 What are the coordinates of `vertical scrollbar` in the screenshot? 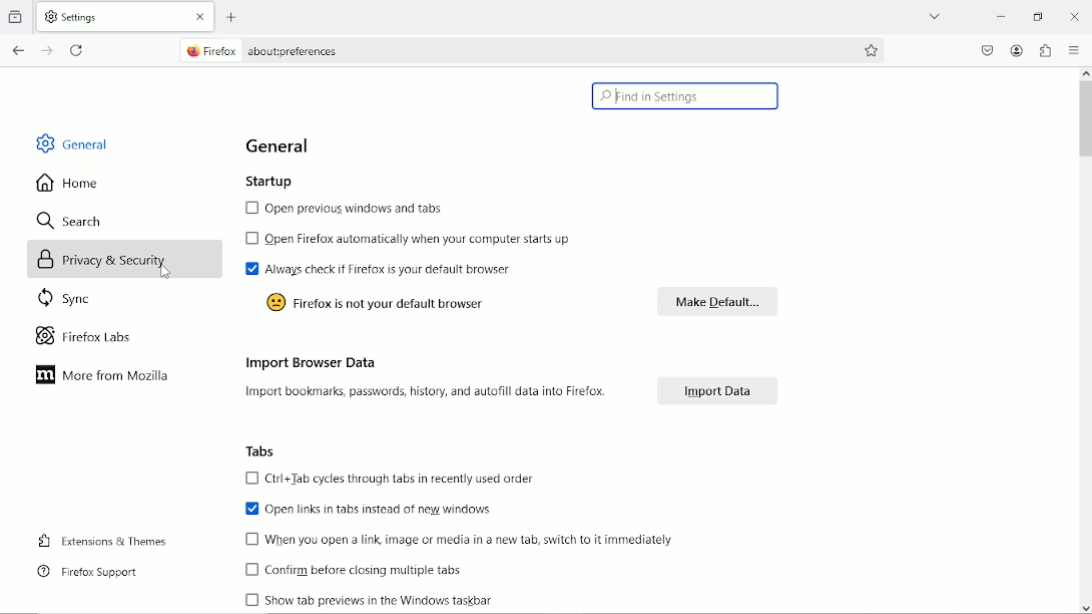 It's located at (1085, 341).